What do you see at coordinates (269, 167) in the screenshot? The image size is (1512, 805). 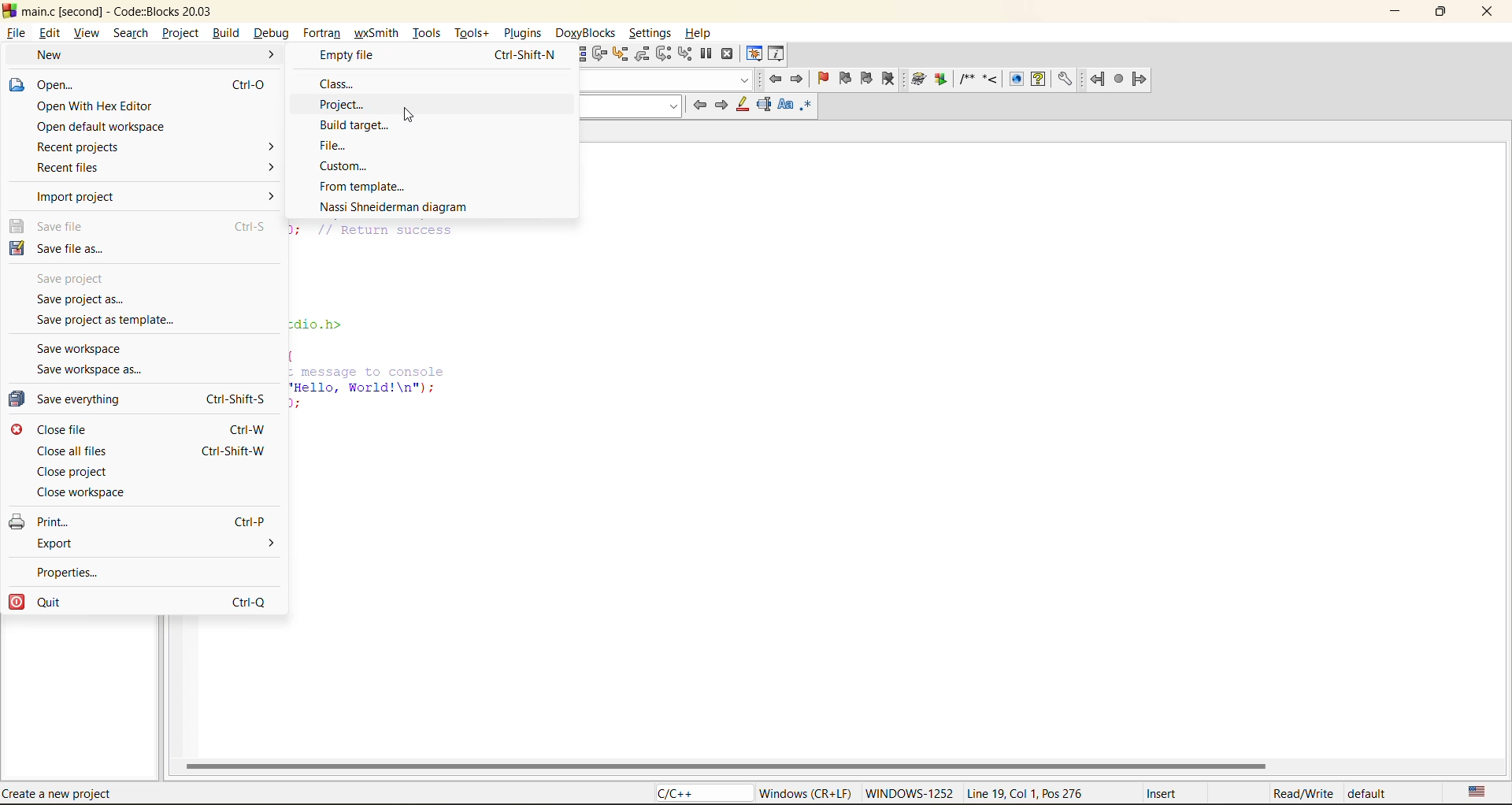 I see `>` at bounding box center [269, 167].